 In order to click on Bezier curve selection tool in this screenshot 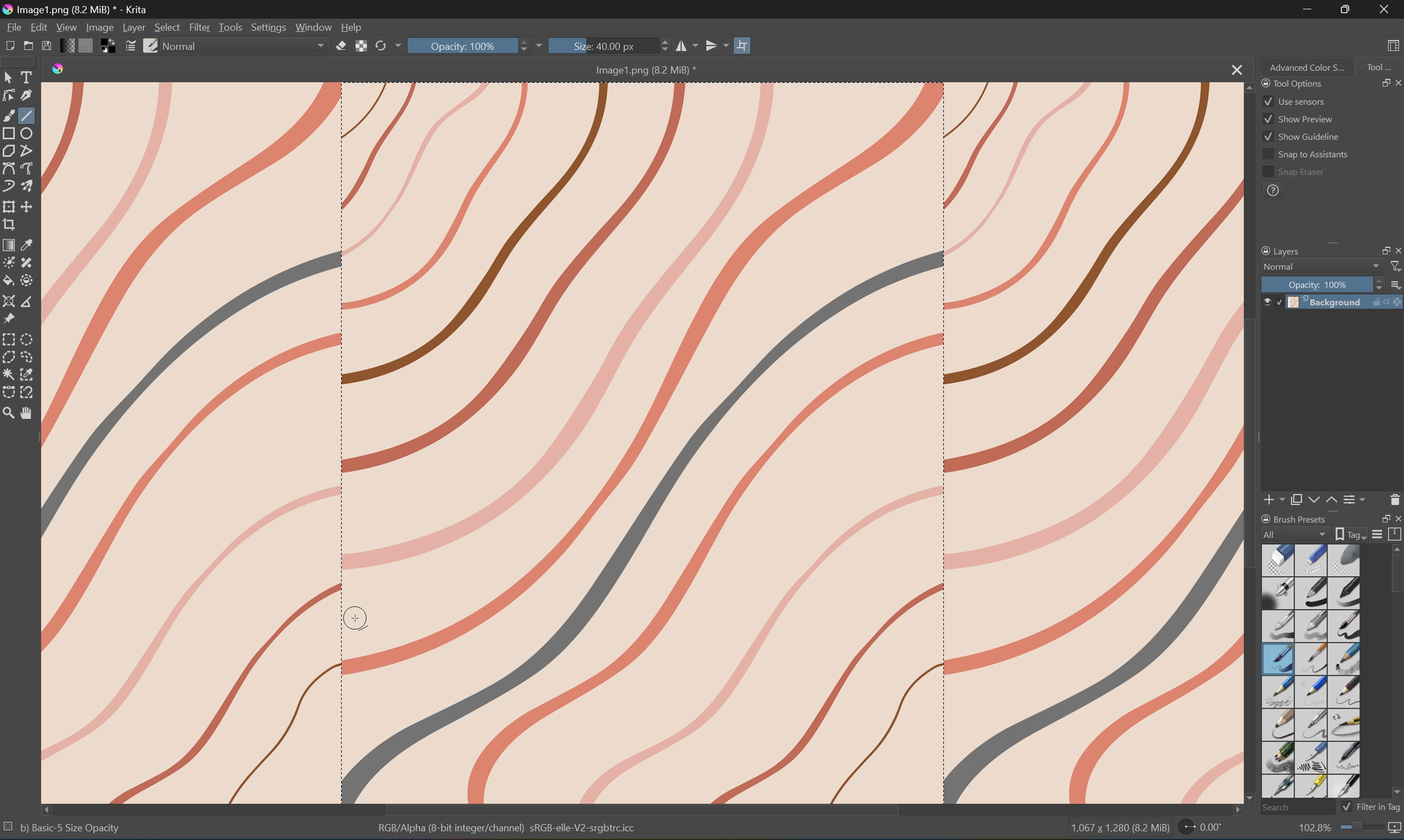, I will do `click(11, 390)`.